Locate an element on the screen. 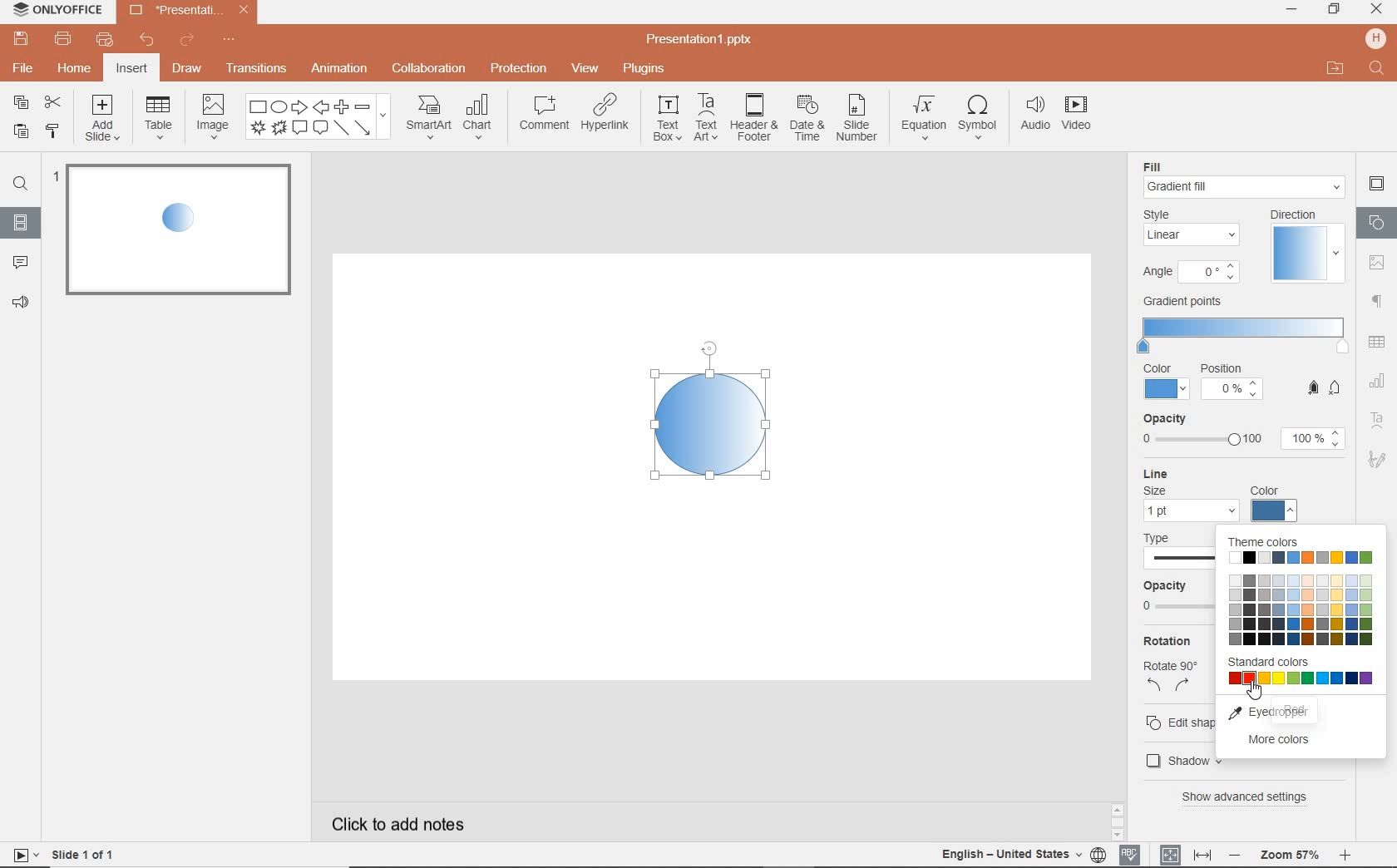  hyperlink is located at coordinates (607, 116).